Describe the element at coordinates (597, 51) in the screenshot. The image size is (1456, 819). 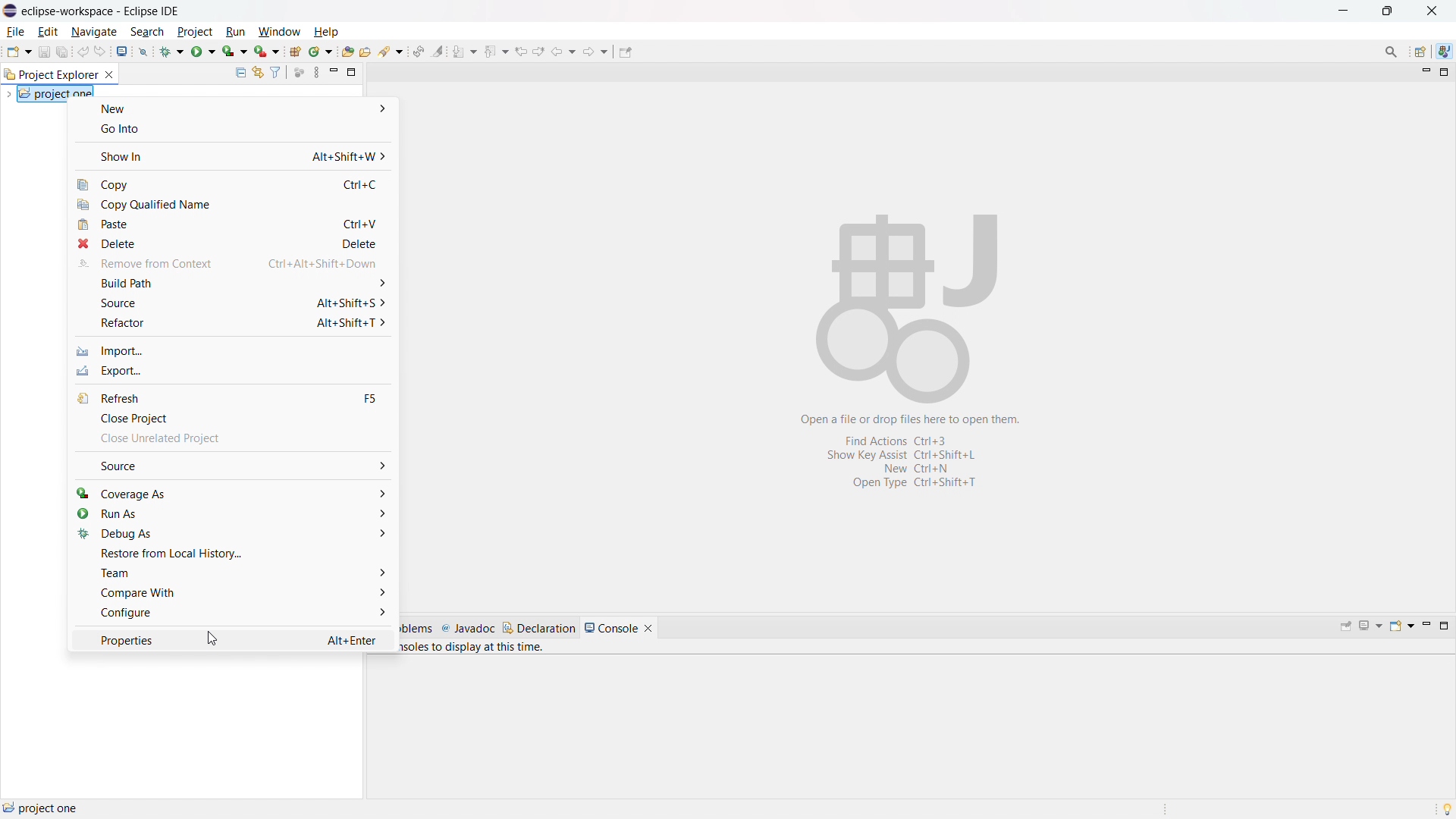
I see `forward` at that location.